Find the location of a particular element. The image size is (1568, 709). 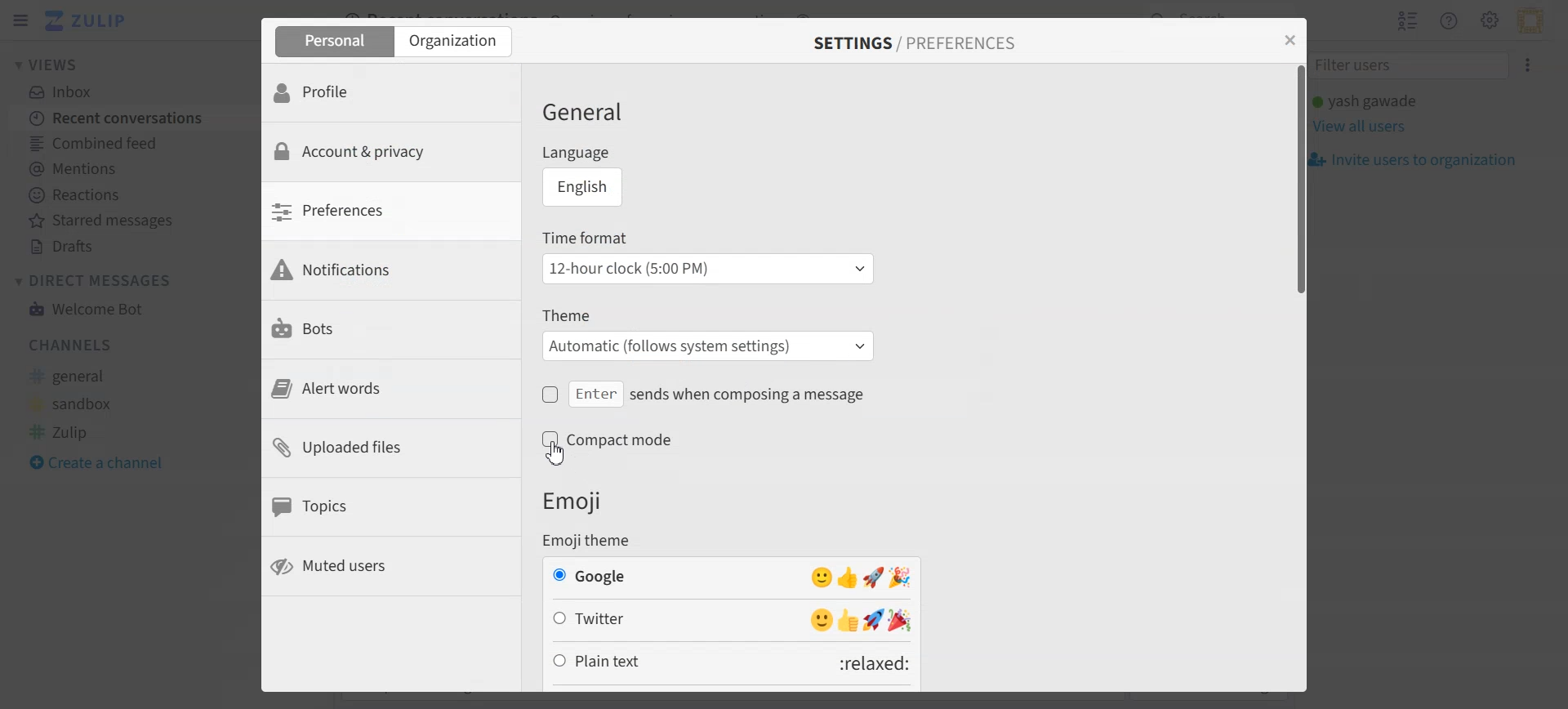

Compact mode is located at coordinates (630, 448).